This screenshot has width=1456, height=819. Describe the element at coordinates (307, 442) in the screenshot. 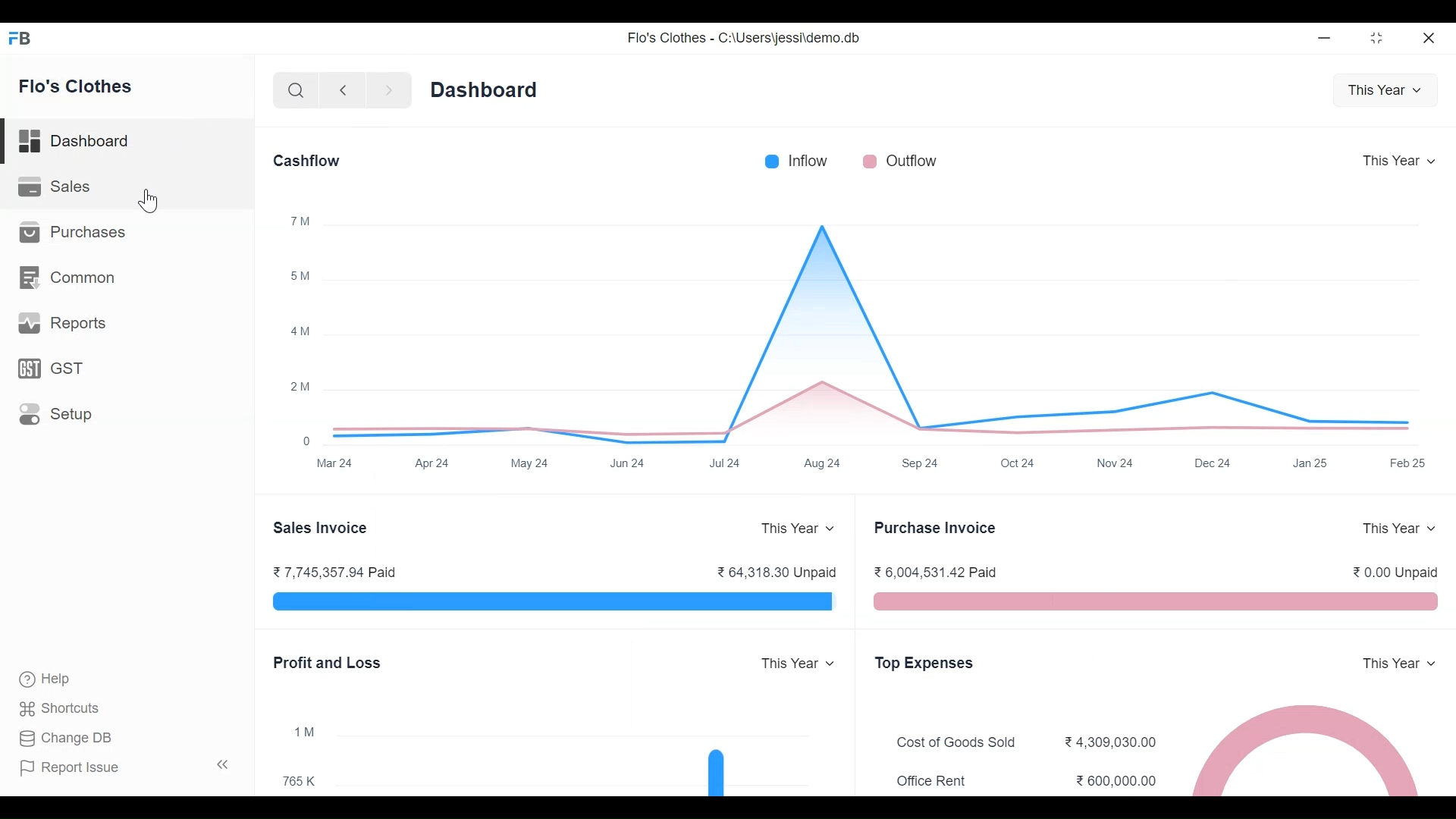

I see `0` at that location.